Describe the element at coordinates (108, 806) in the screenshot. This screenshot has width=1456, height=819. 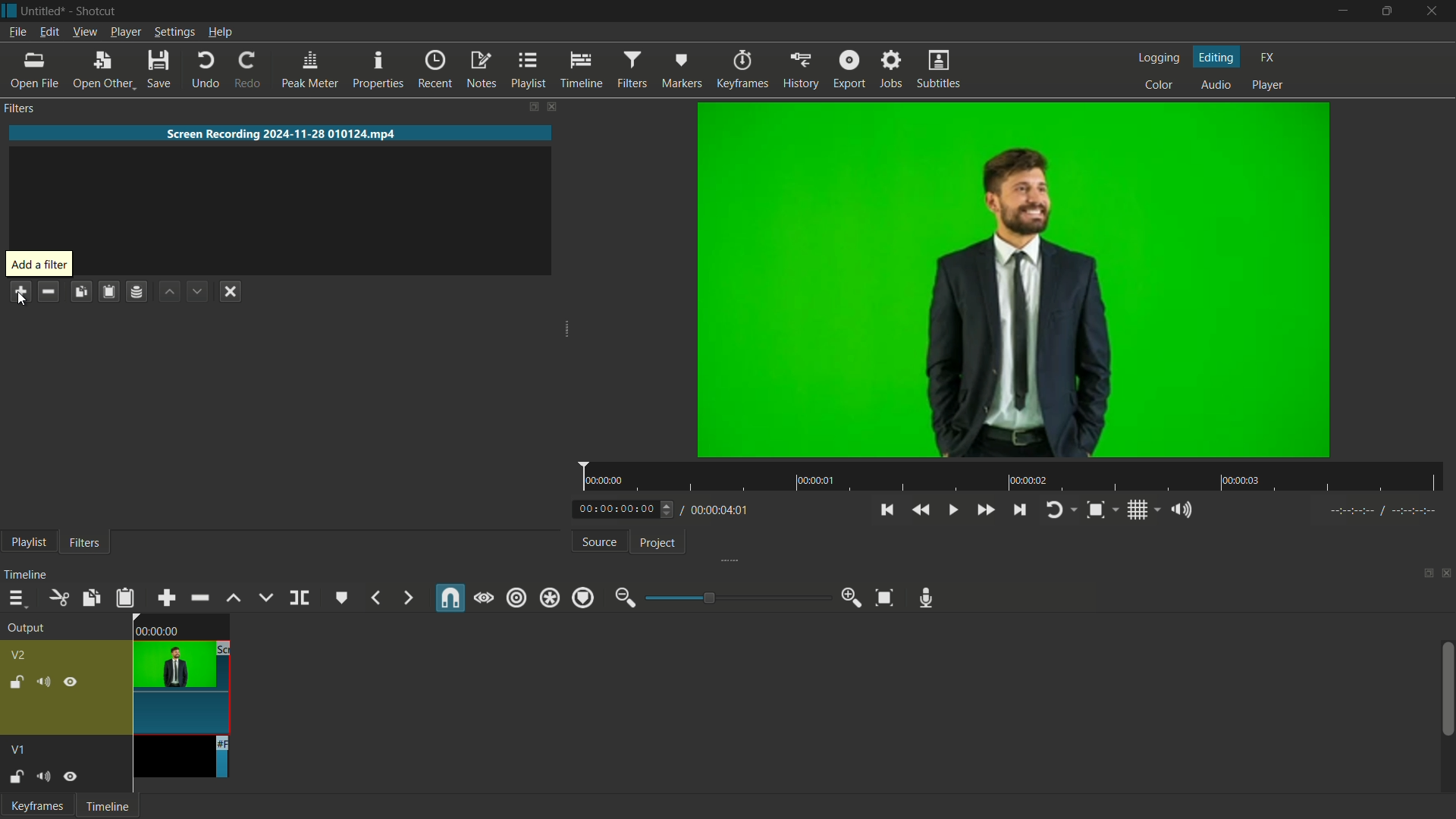
I see `timeline` at that location.